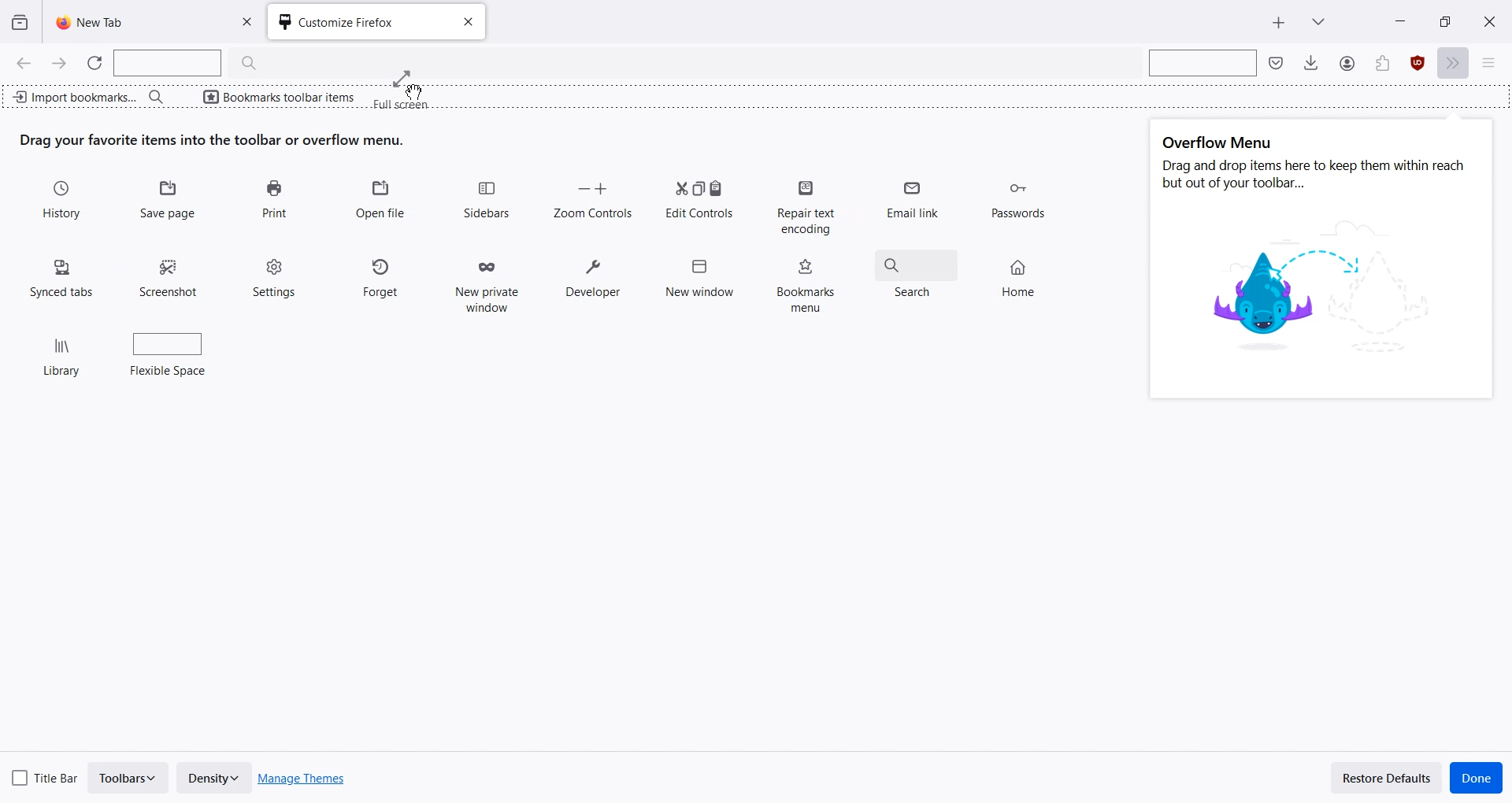 This screenshot has width=1512, height=803. I want to click on Import bookmark, so click(74, 94).